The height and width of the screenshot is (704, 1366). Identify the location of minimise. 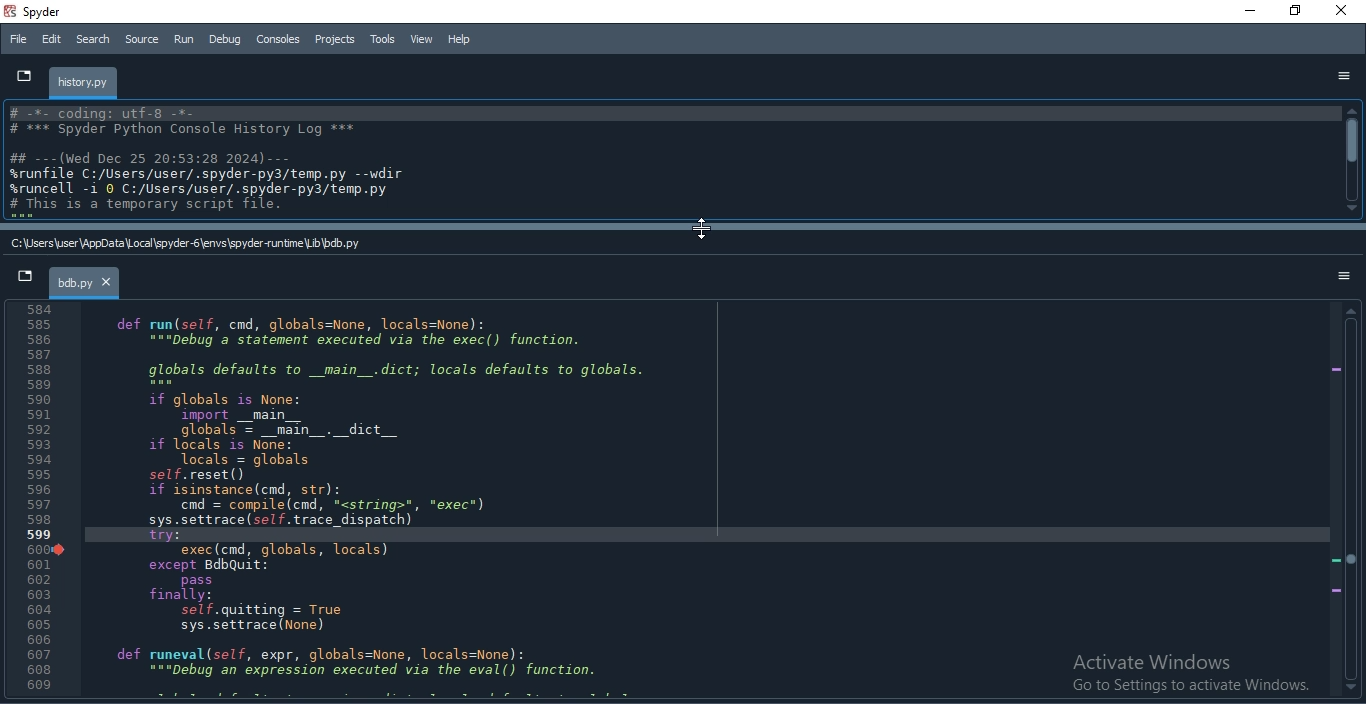
(1247, 12).